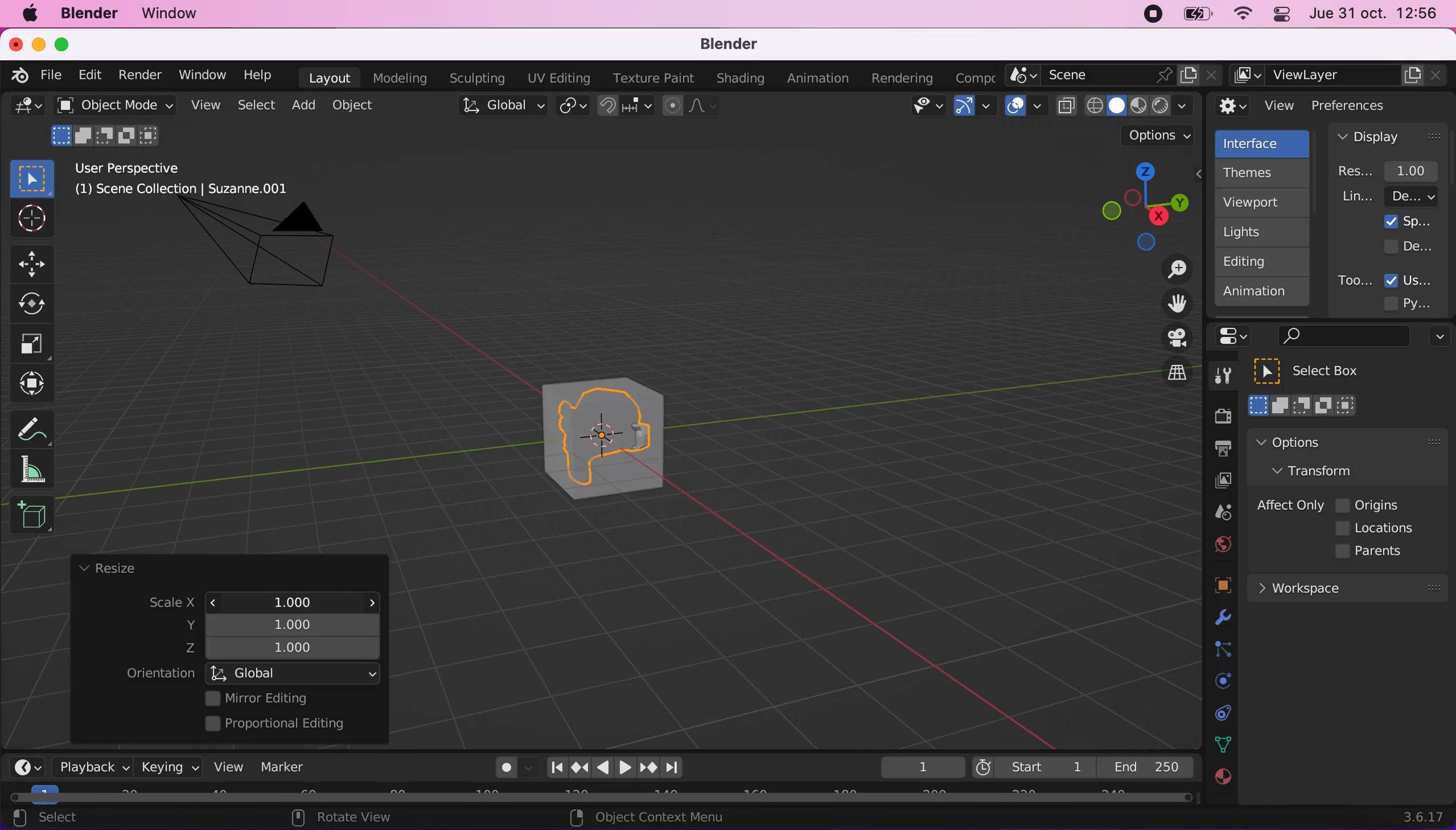 The width and height of the screenshot is (1456, 830). What do you see at coordinates (161, 604) in the screenshot?
I see `scale` at bounding box center [161, 604].